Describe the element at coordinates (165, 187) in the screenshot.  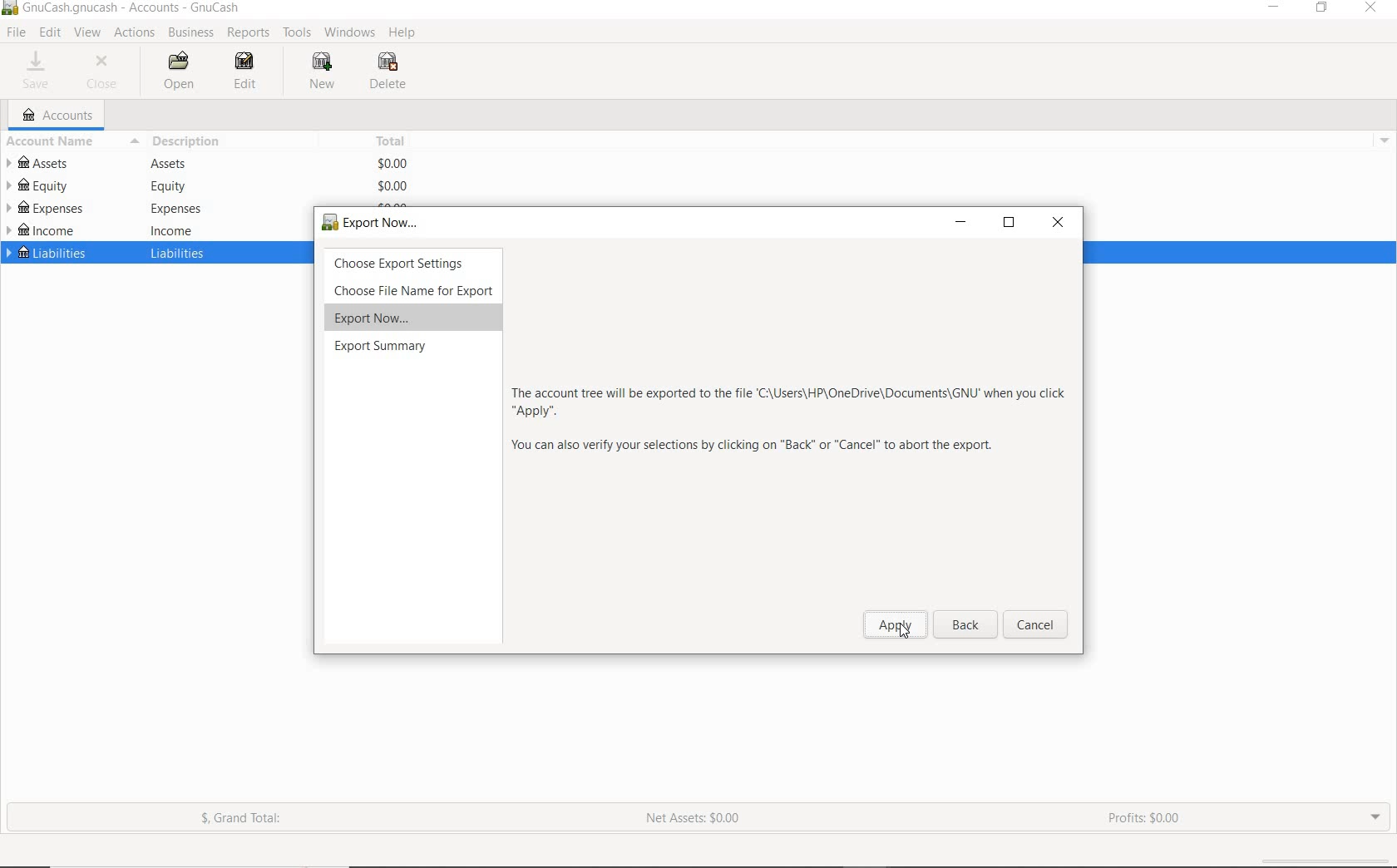
I see `equity` at that location.